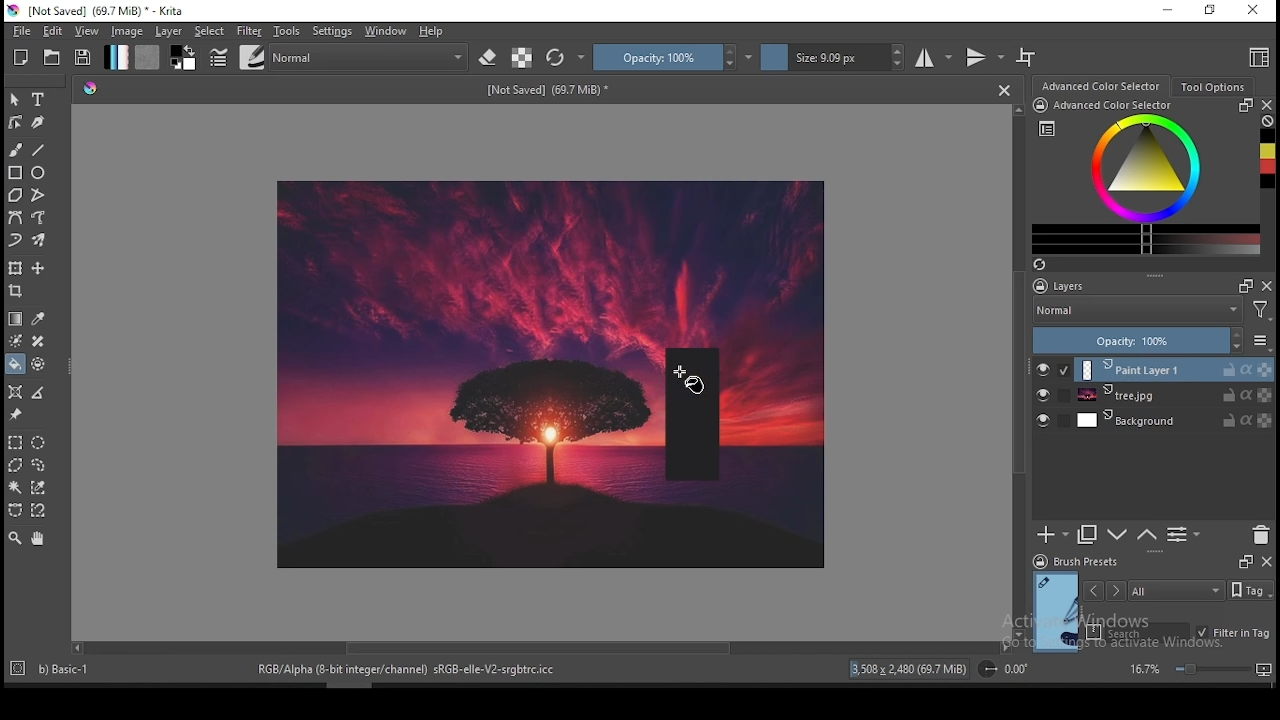 This screenshot has width=1280, height=720. What do you see at coordinates (371, 56) in the screenshot?
I see `blending mode` at bounding box center [371, 56].